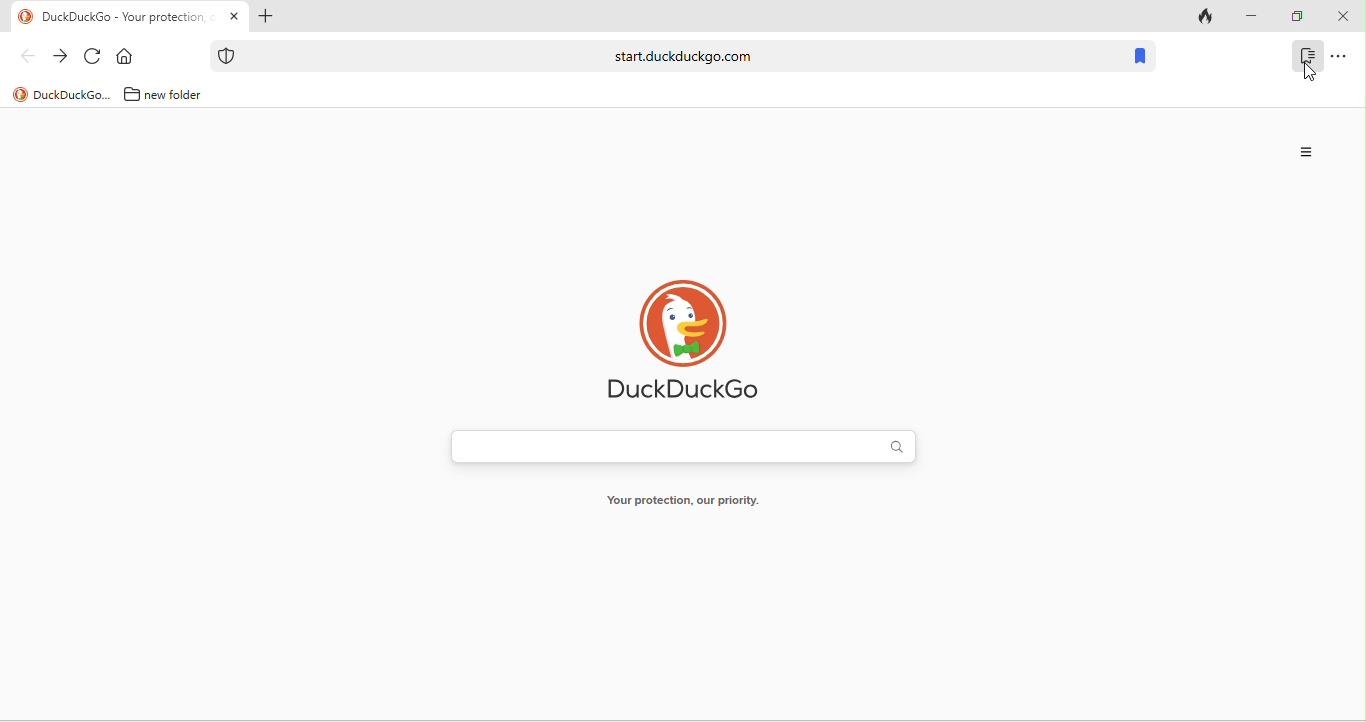 The image size is (1366, 722). What do you see at coordinates (60, 57) in the screenshot?
I see `forward` at bounding box center [60, 57].